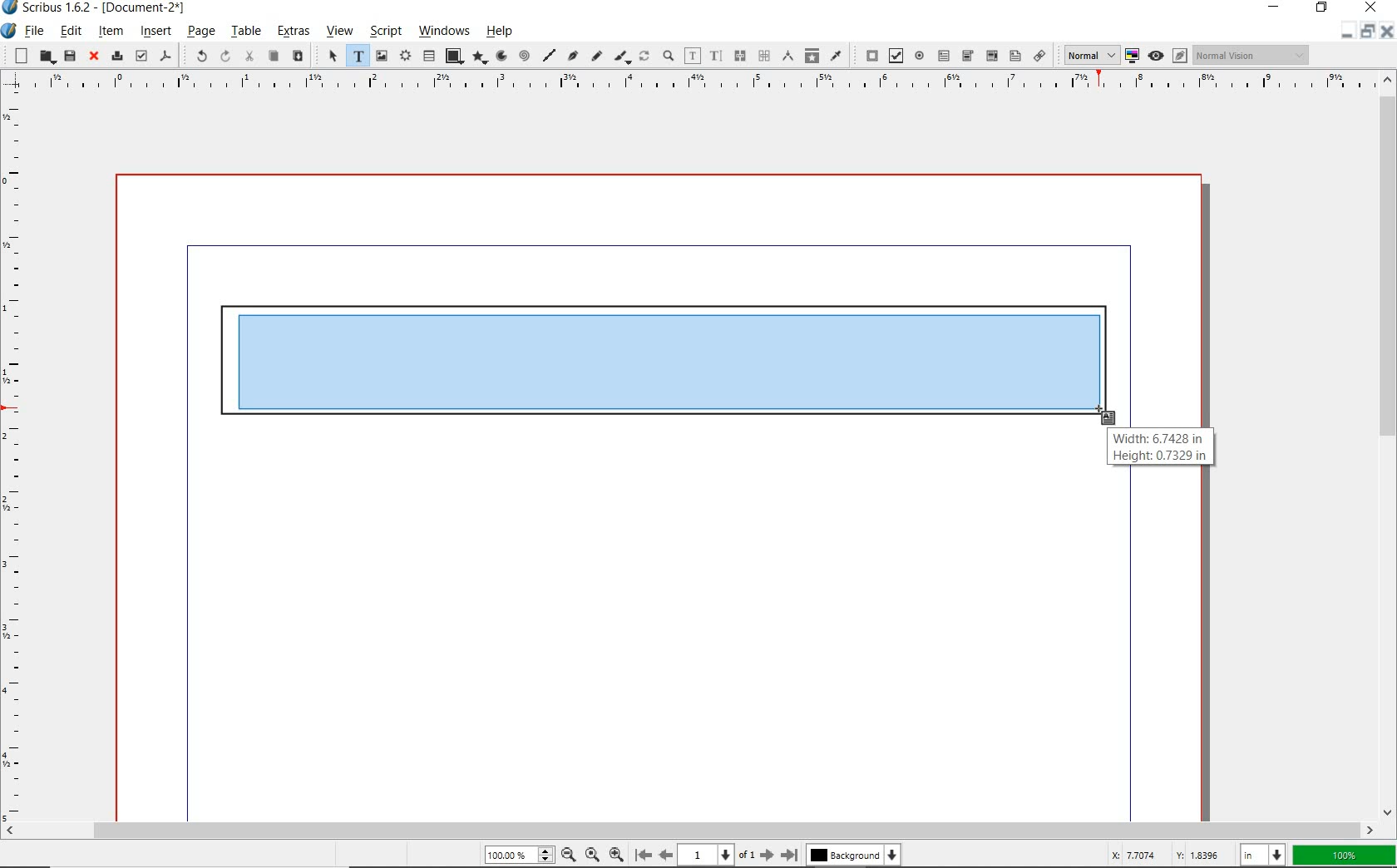 This screenshot has width=1397, height=868. What do you see at coordinates (1166, 56) in the screenshot?
I see `preview mode` at bounding box center [1166, 56].